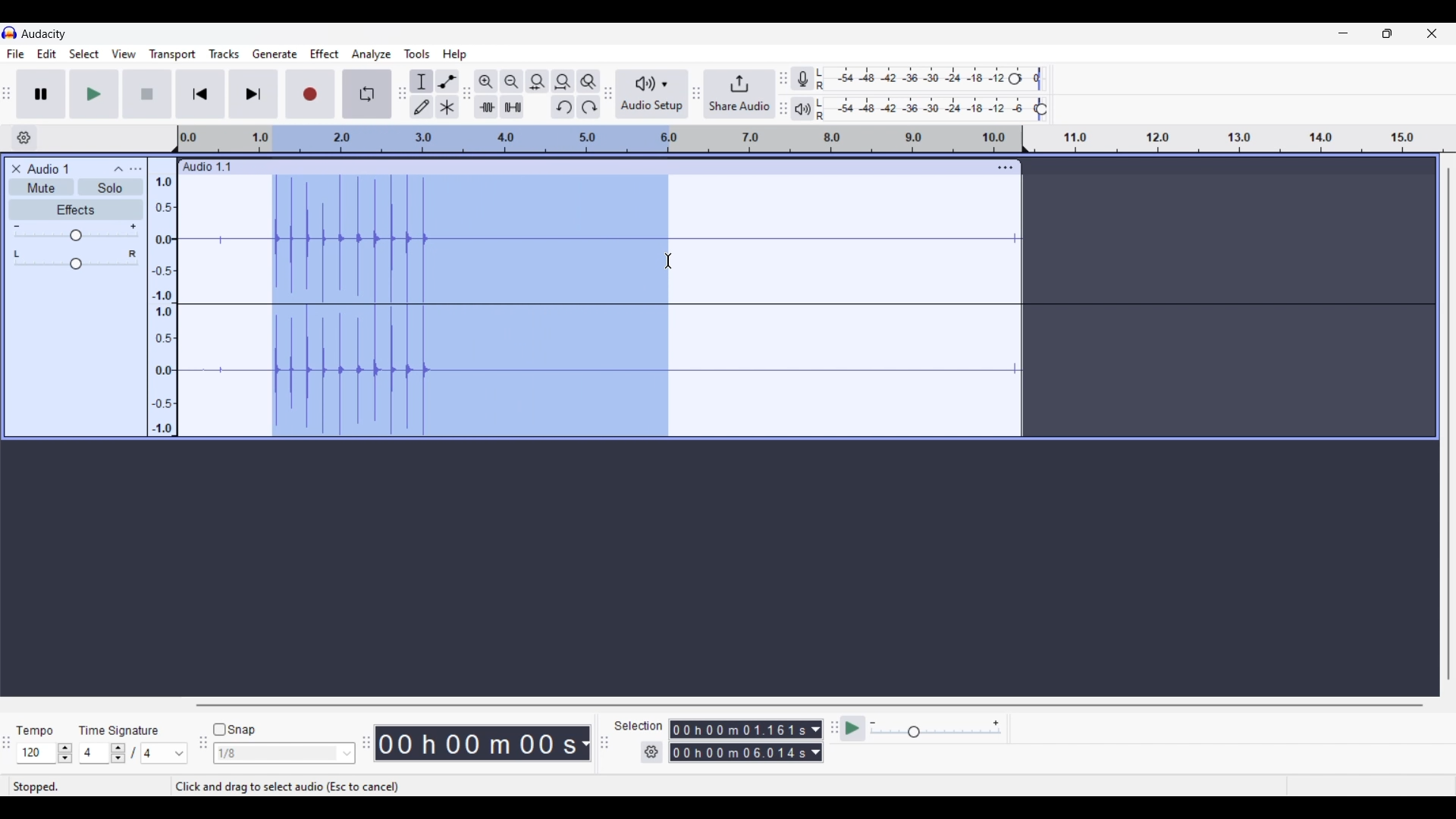 The image size is (1456, 819). I want to click on Zoom toggle, so click(588, 81).